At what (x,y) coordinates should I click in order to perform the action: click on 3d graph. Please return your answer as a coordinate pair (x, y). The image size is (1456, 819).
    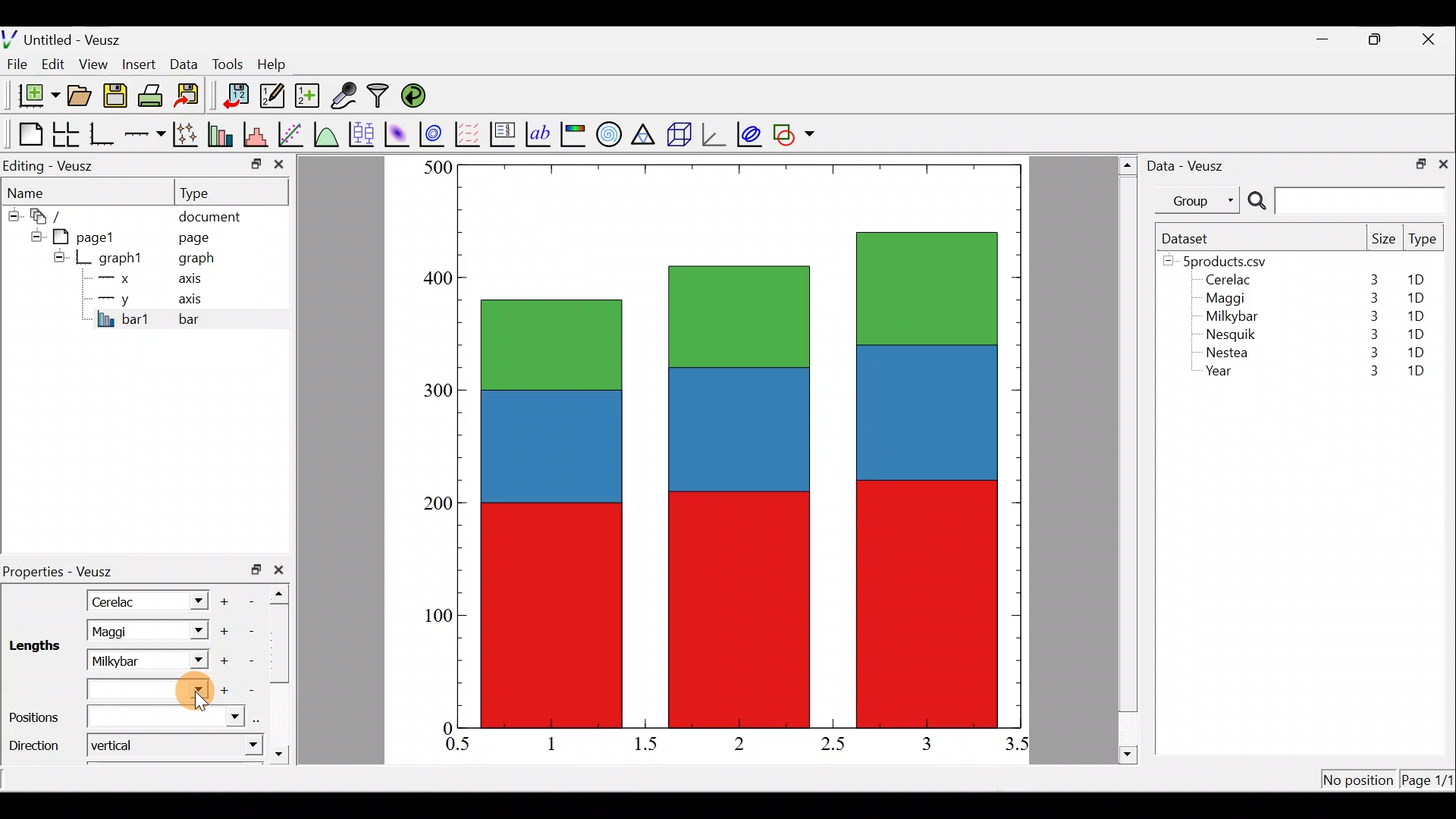
    Looking at the image, I should click on (714, 133).